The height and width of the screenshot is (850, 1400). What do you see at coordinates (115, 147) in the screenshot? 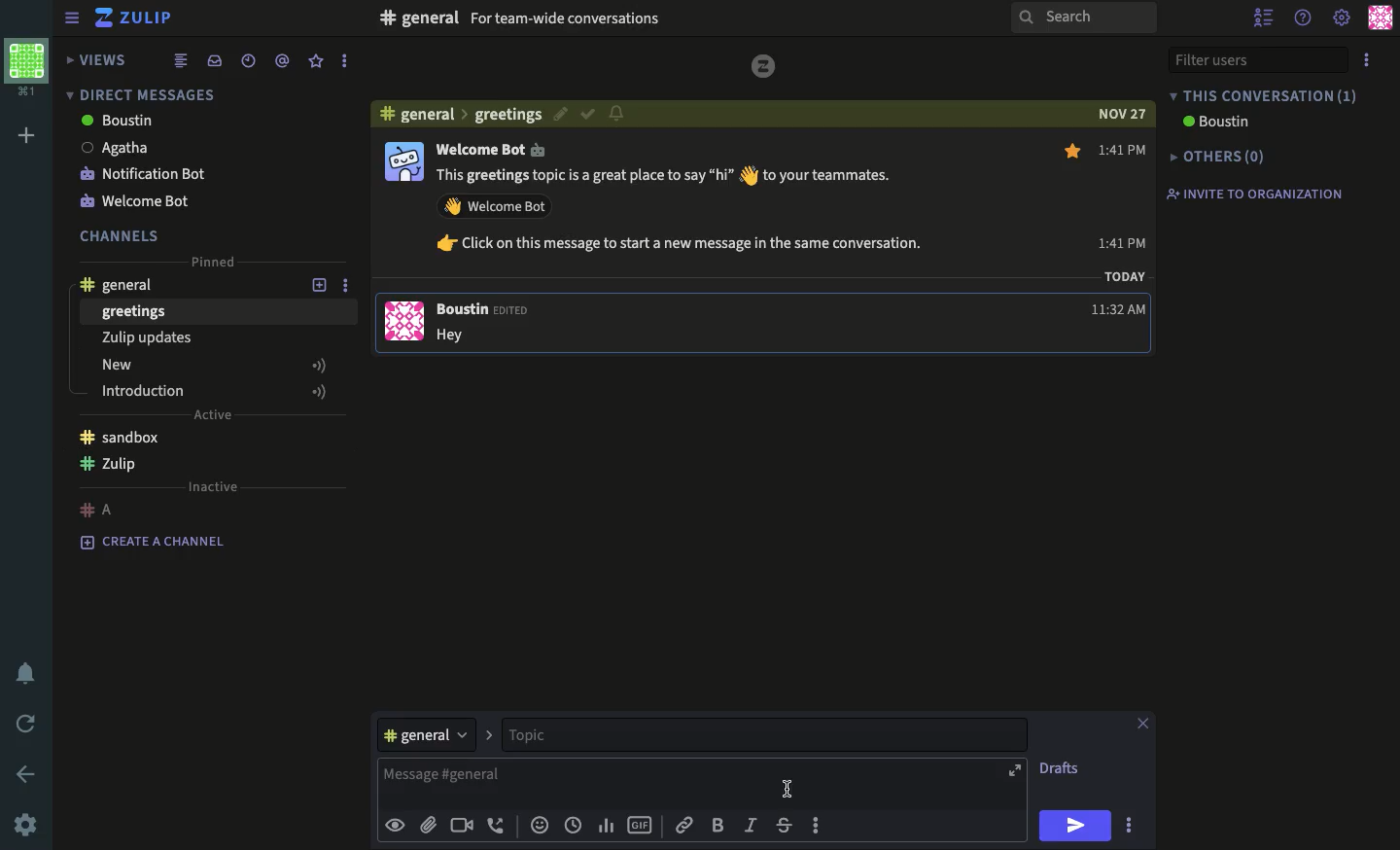
I see `Agatha ` at bounding box center [115, 147].